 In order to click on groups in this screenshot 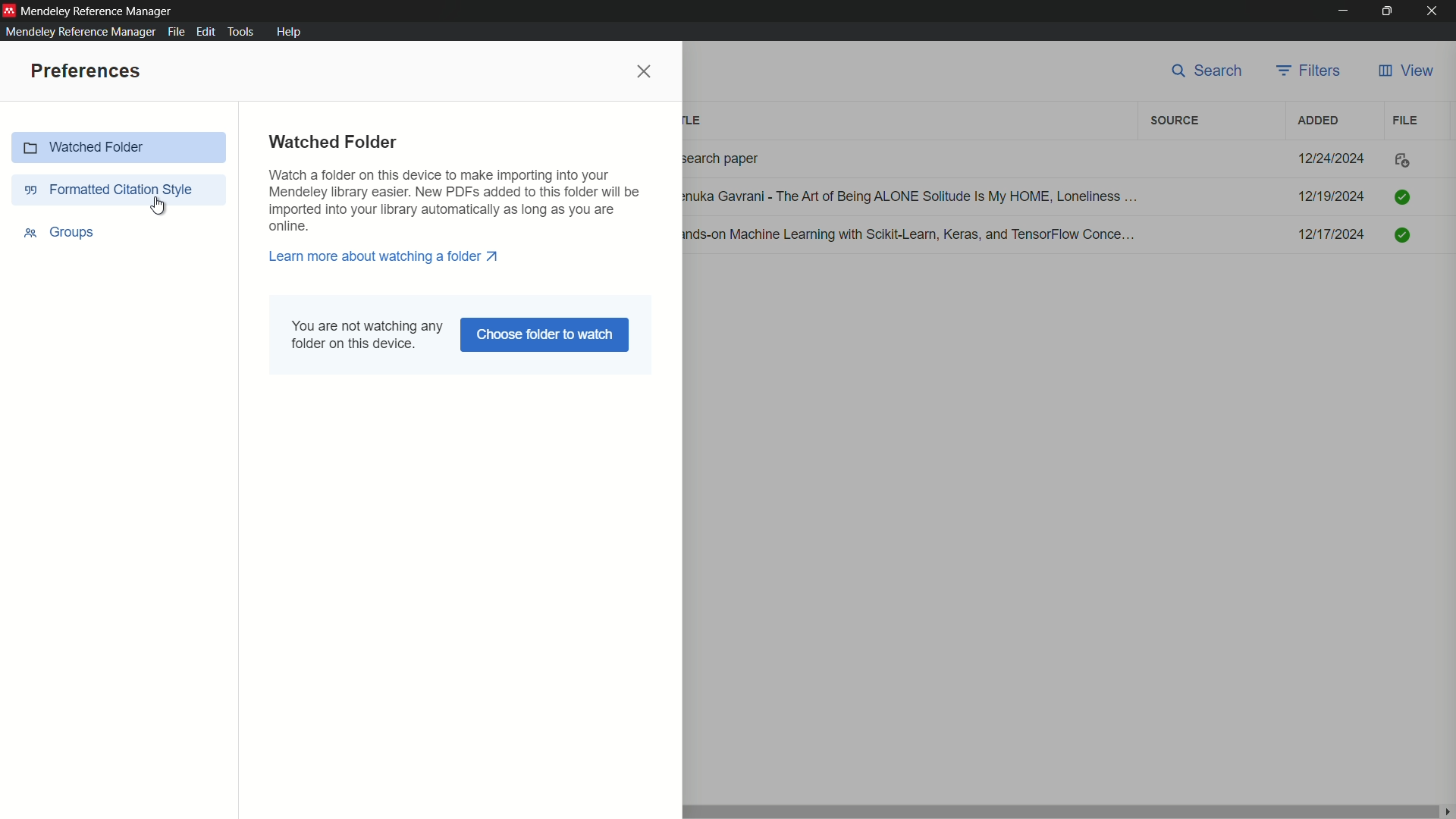, I will do `click(58, 233)`.